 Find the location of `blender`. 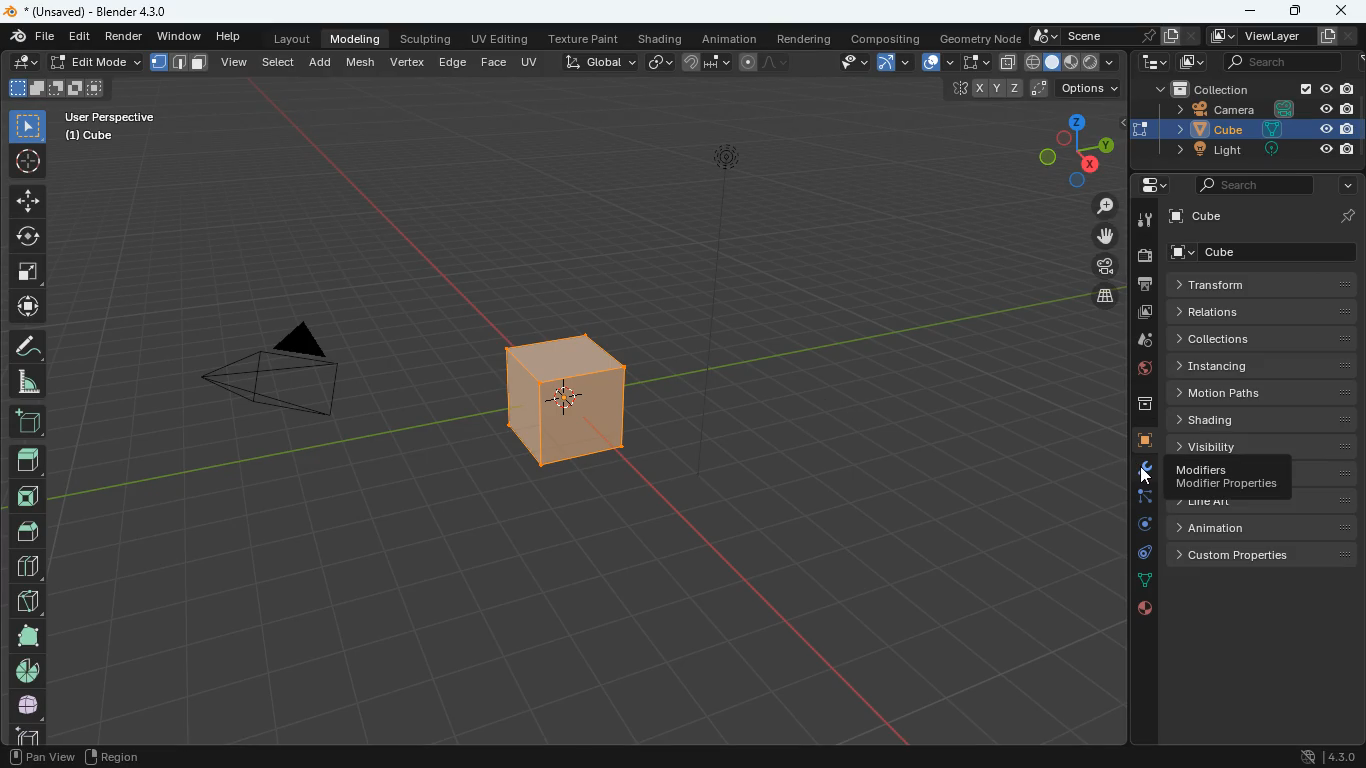

blender is located at coordinates (96, 11).